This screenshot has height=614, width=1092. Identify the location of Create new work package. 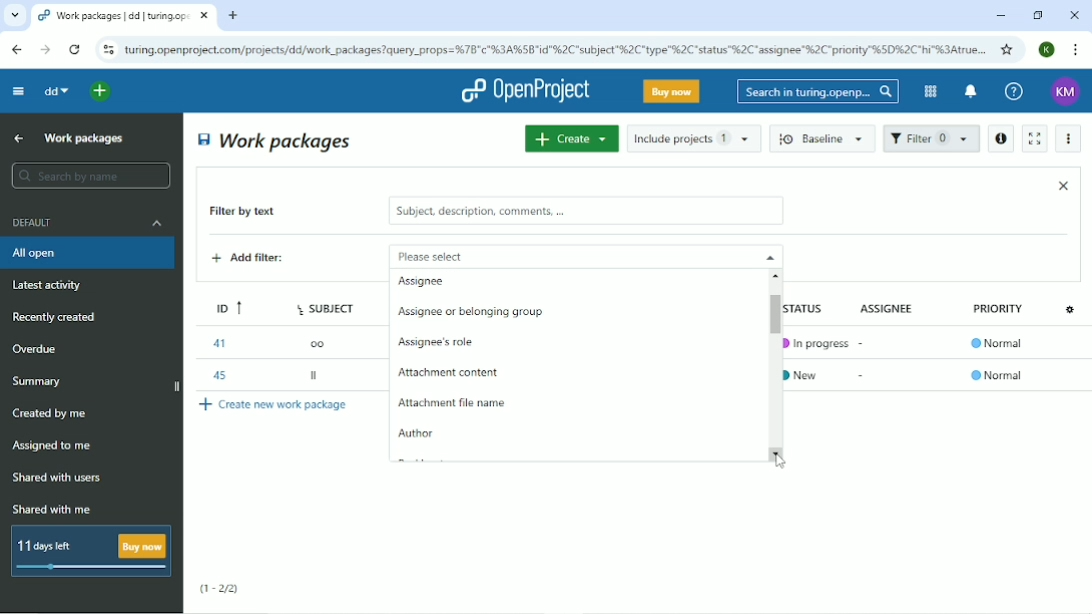
(275, 404).